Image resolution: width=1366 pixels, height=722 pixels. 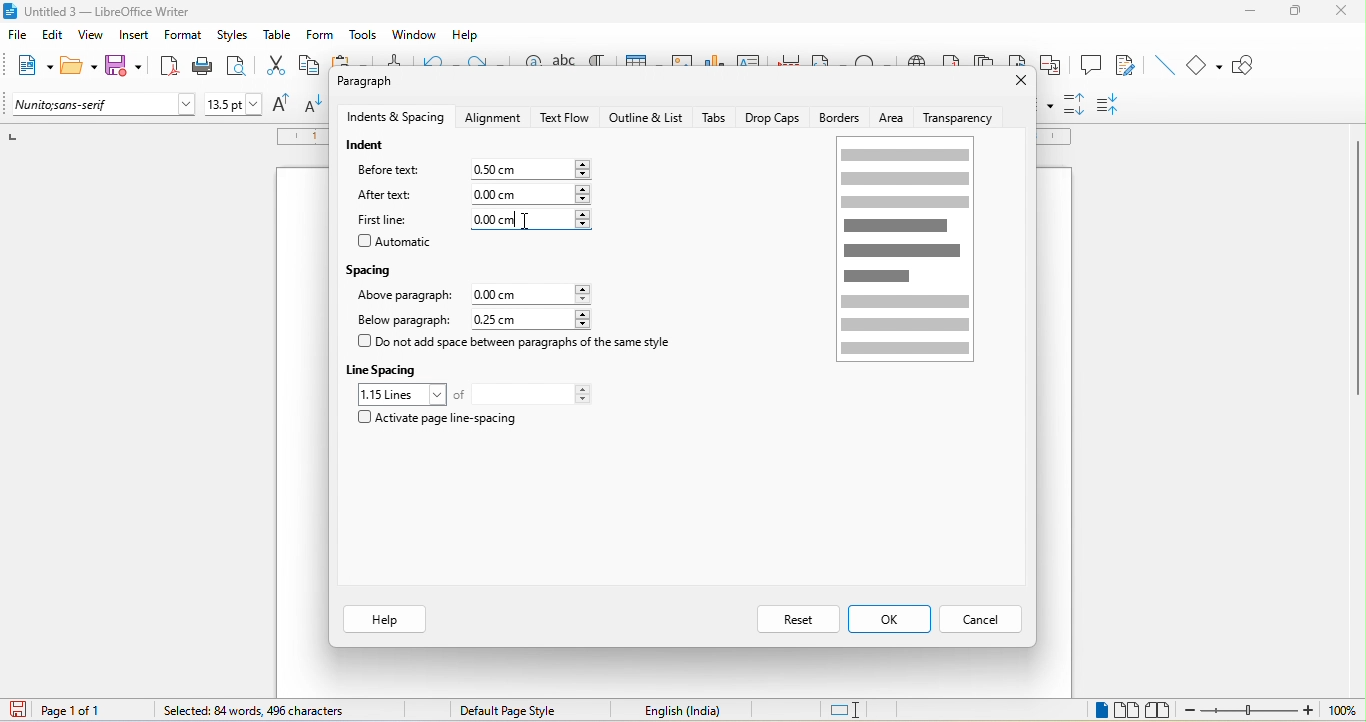 I want to click on format, so click(x=183, y=37).